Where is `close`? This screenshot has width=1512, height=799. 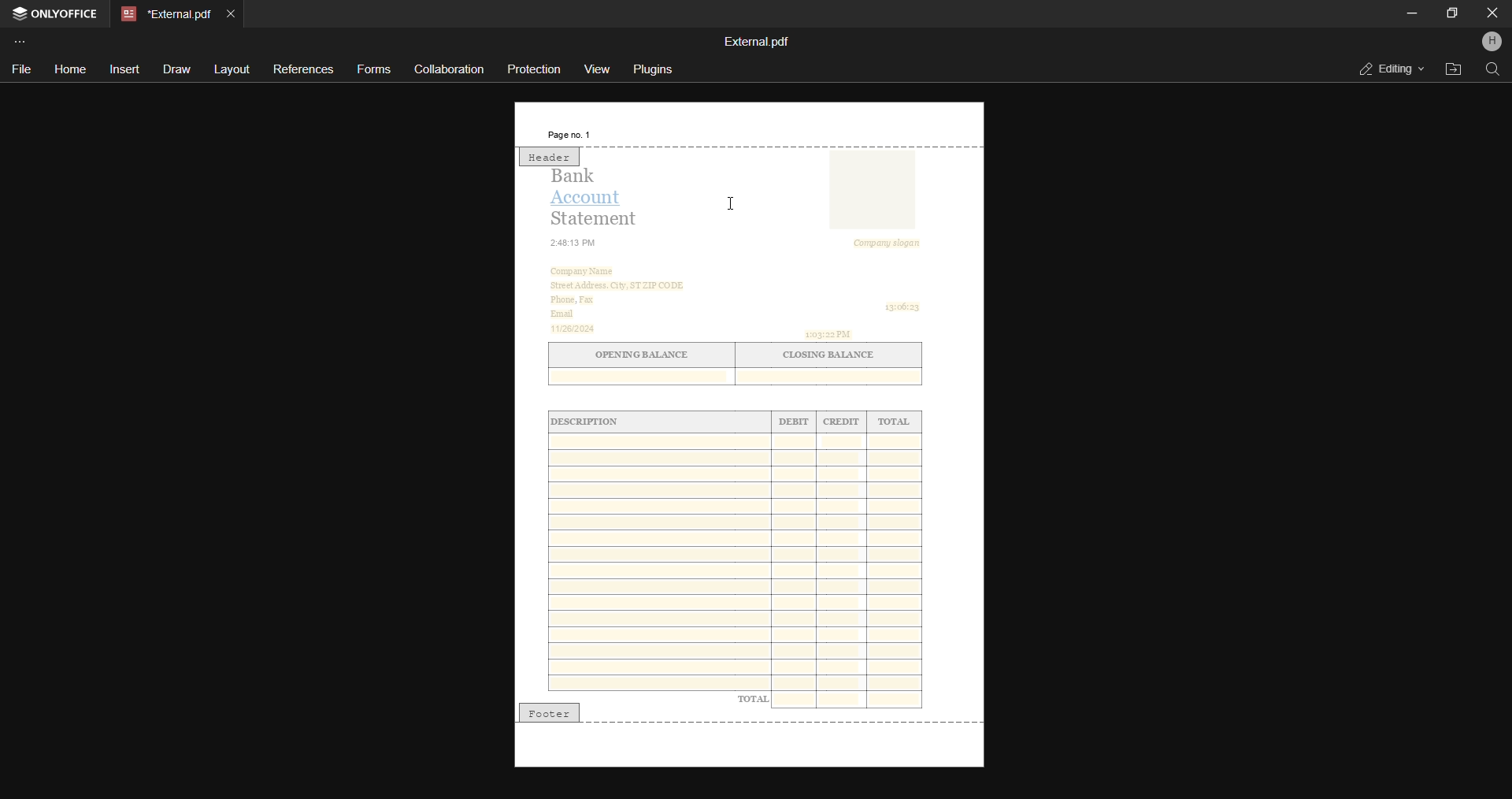 close is located at coordinates (1492, 13).